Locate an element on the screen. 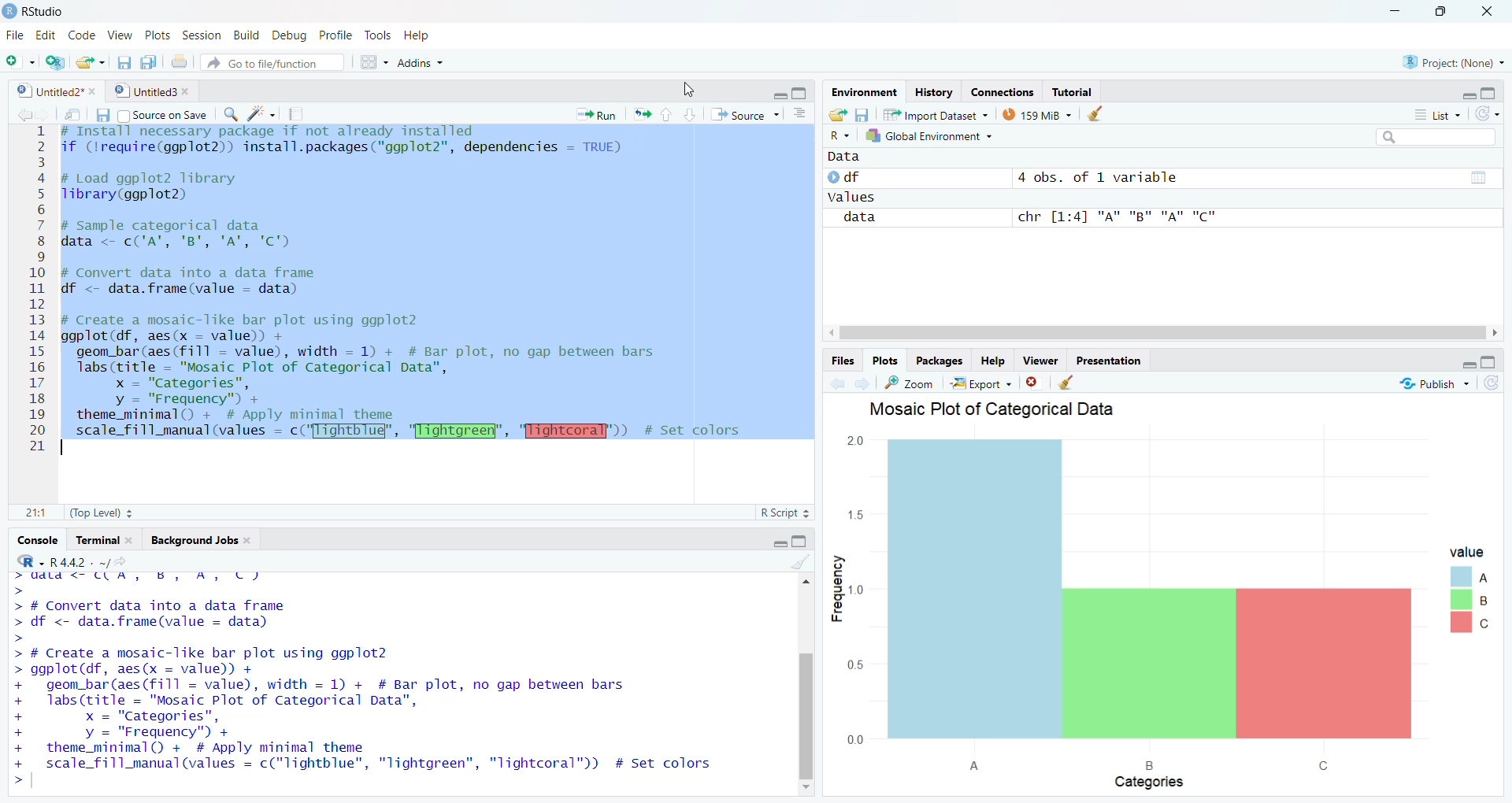 The width and height of the screenshot is (1512, 803). Print is located at coordinates (180, 62).